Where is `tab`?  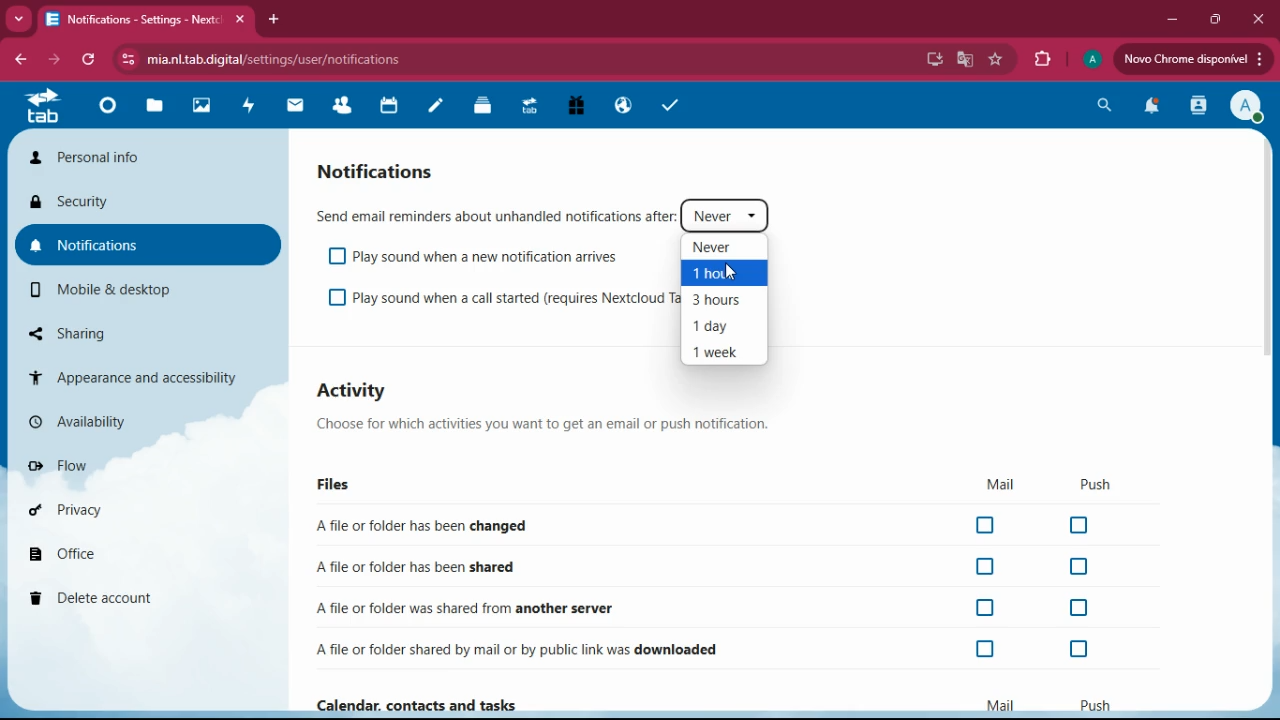
tab is located at coordinates (530, 109).